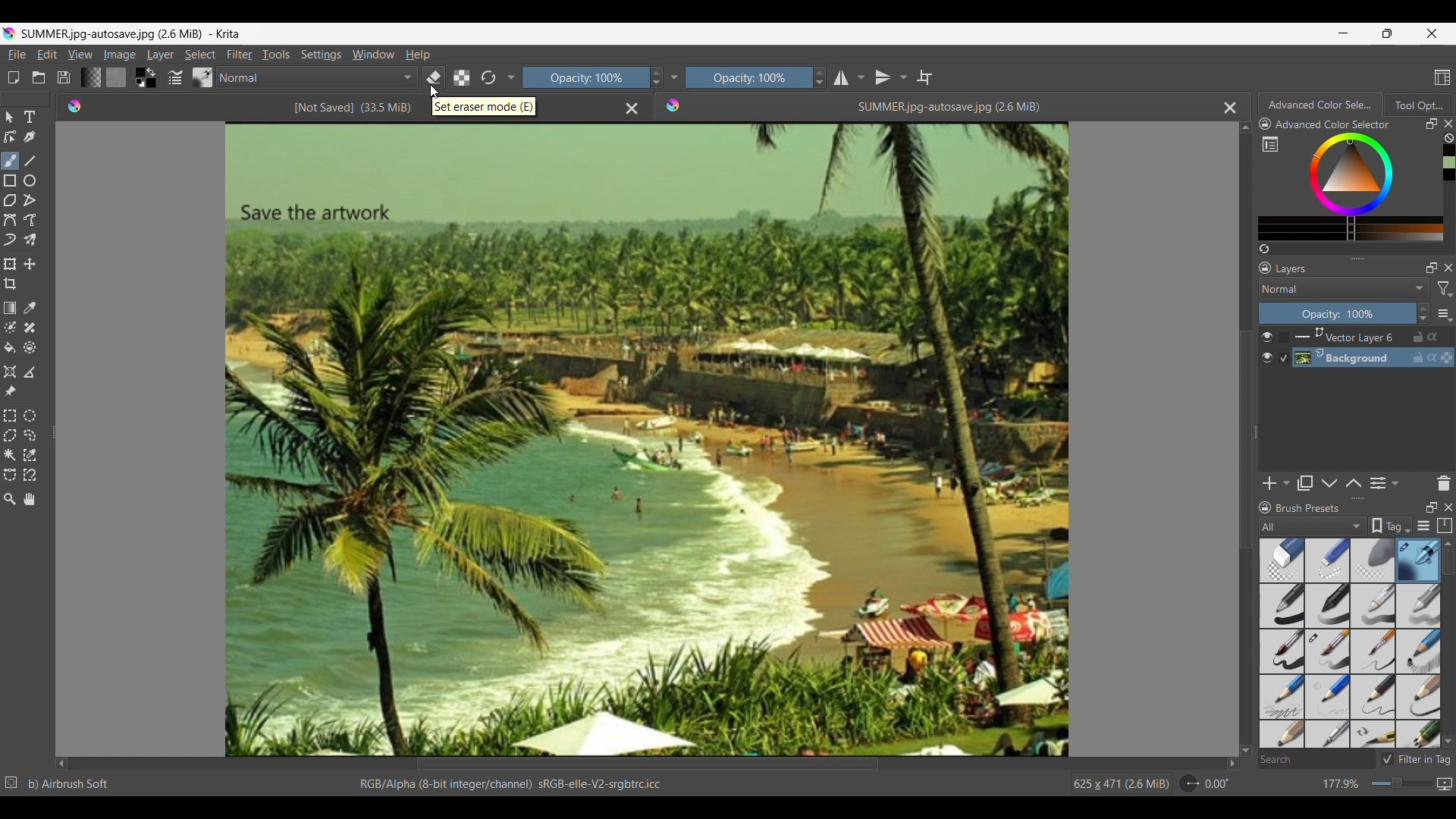  I want to click on Opacity 100%, so click(748, 77).